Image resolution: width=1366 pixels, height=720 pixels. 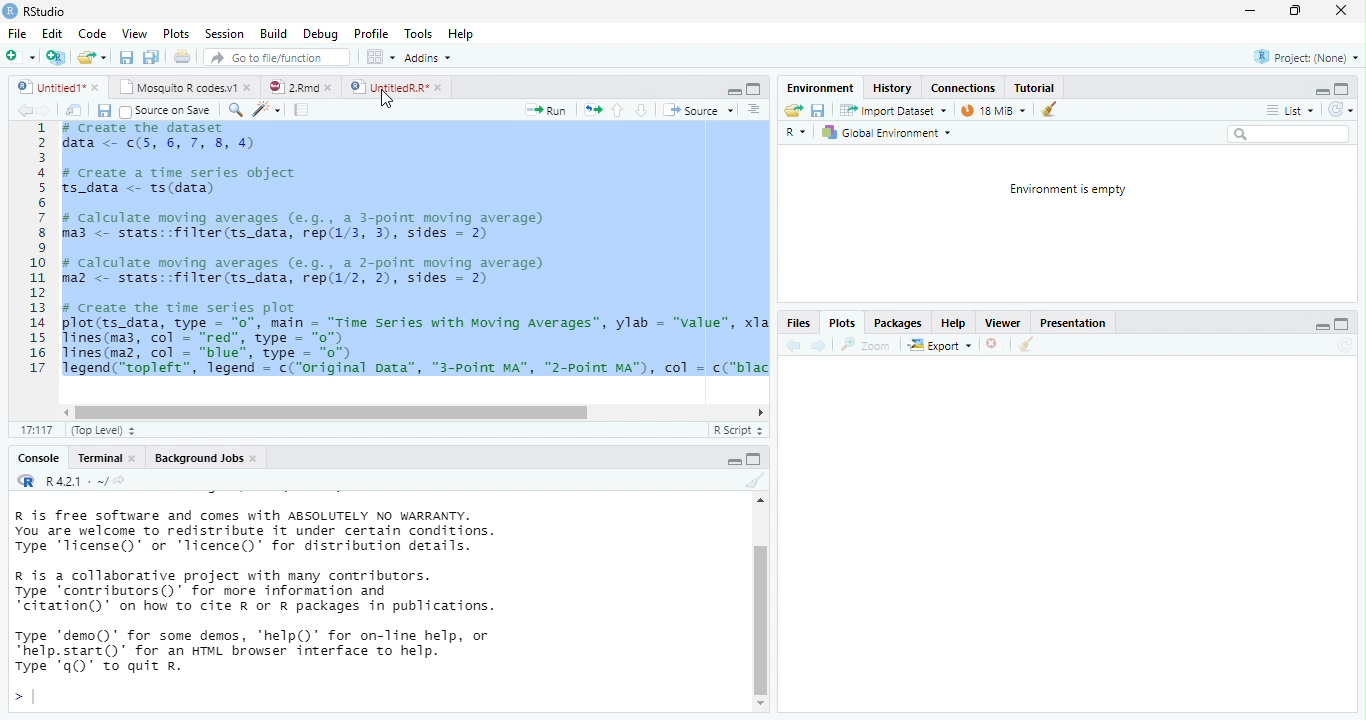 What do you see at coordinates (24, 110) in the screenshot?
I see `back` at bounding box center [24, 110].